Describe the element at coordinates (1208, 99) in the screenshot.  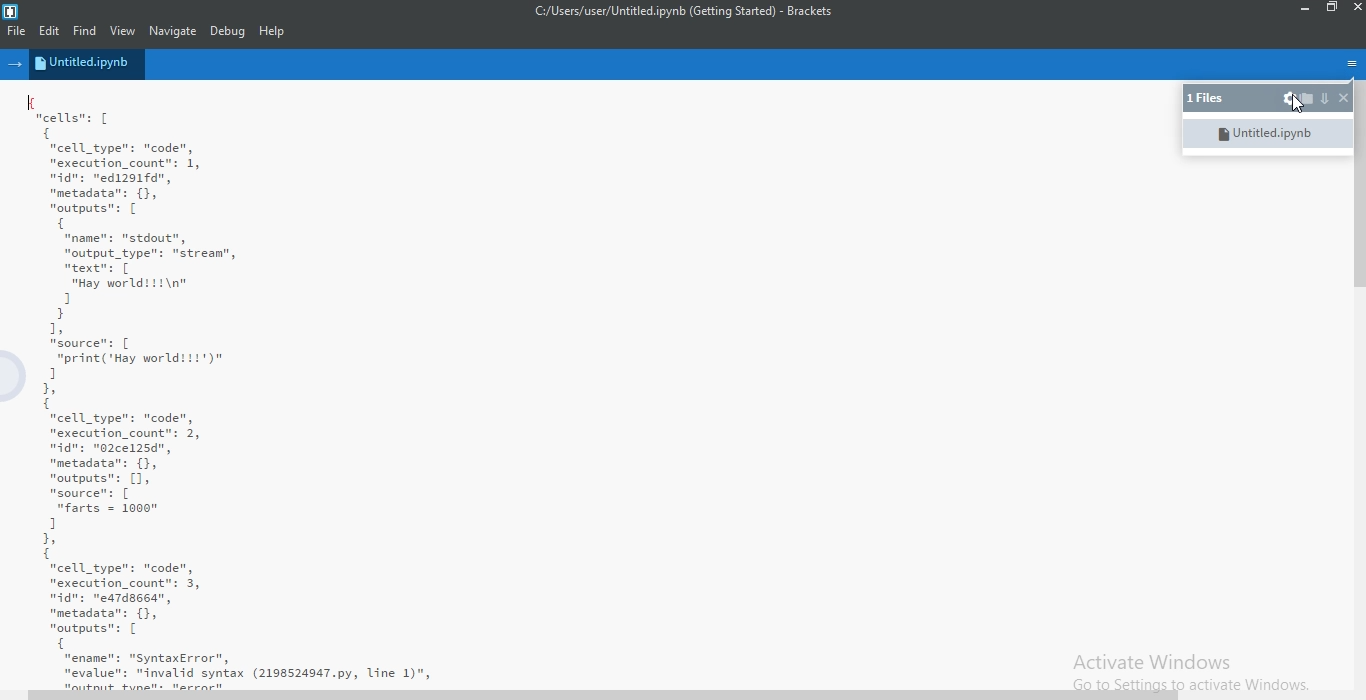
I see `1 files` at that location.